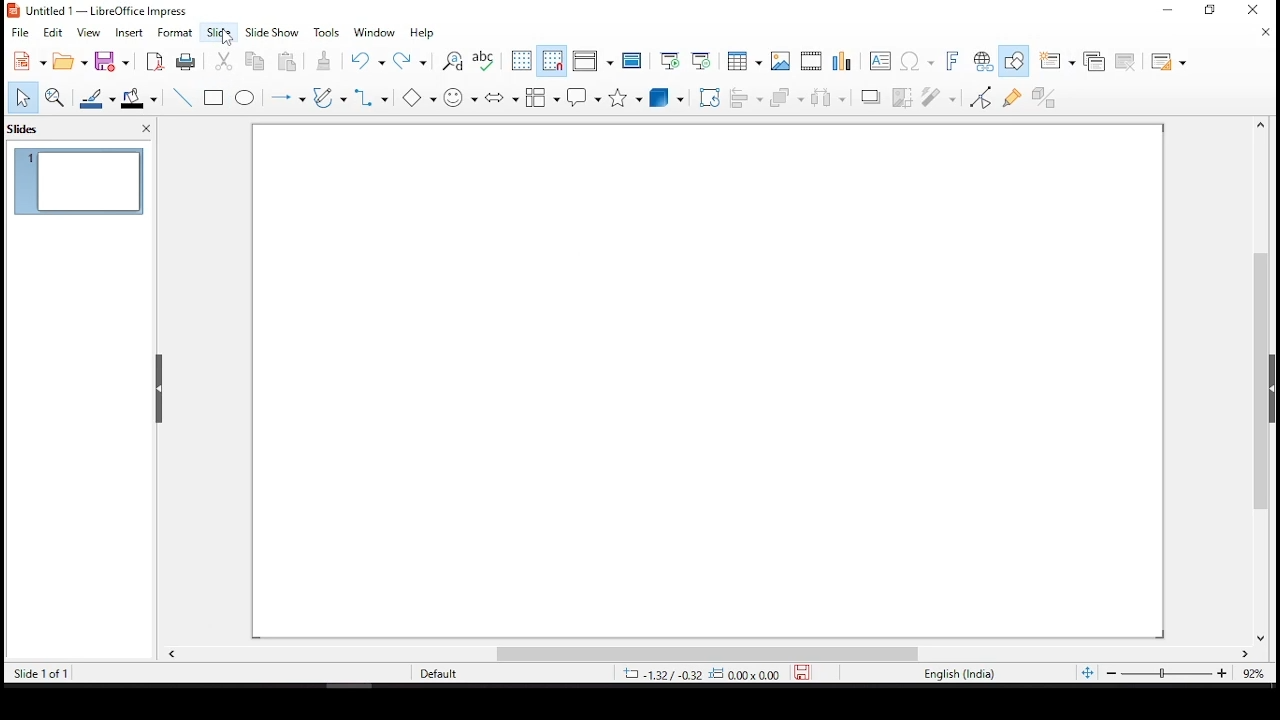 This screenshot has width=1280, height=720. What do you see at coordinates (842, 59) in the screenshot?
I see `charts` at bounding box center [842, 59].